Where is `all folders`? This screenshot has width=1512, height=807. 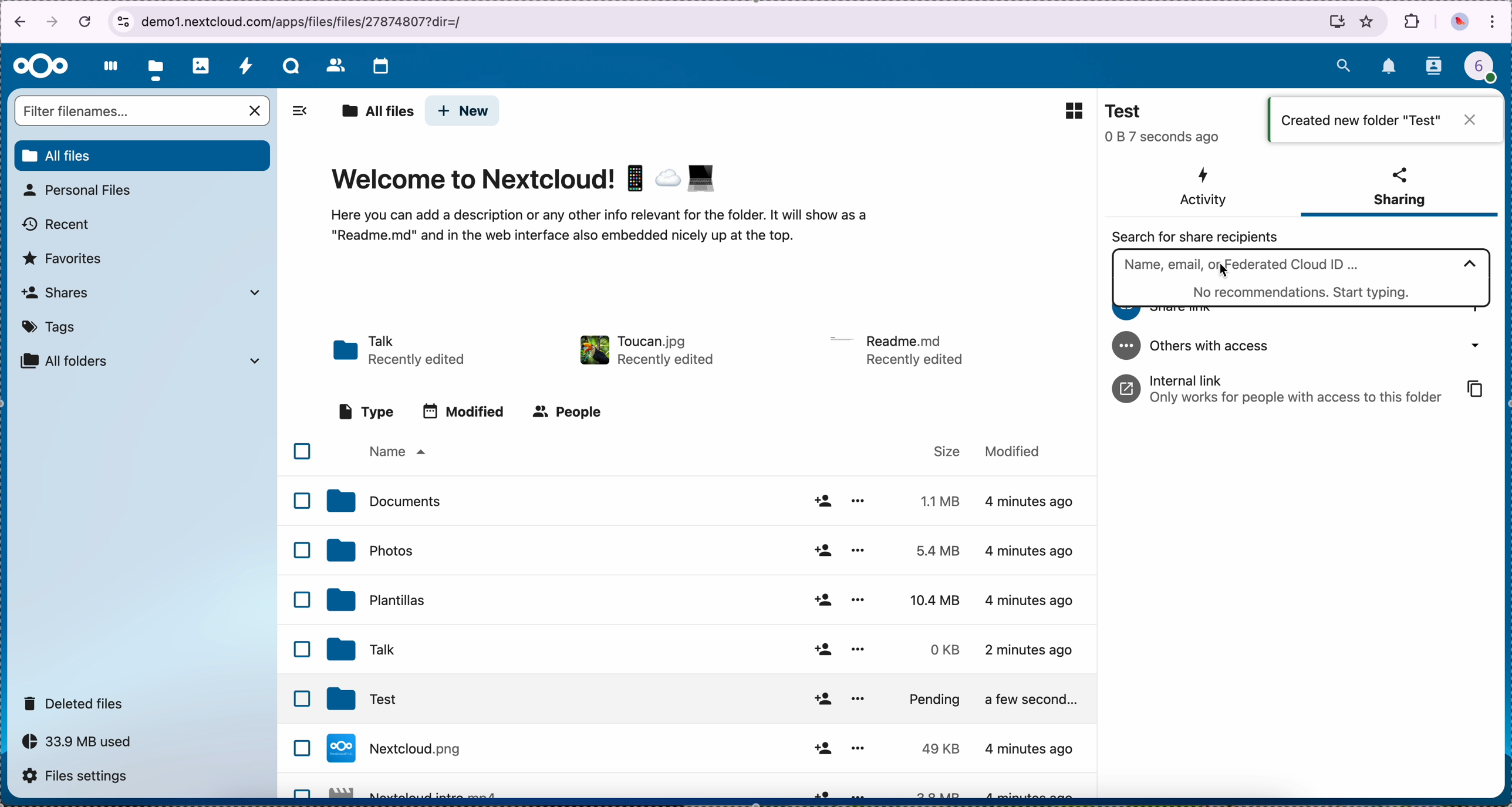
all folders is located at coordinates (141, 361).